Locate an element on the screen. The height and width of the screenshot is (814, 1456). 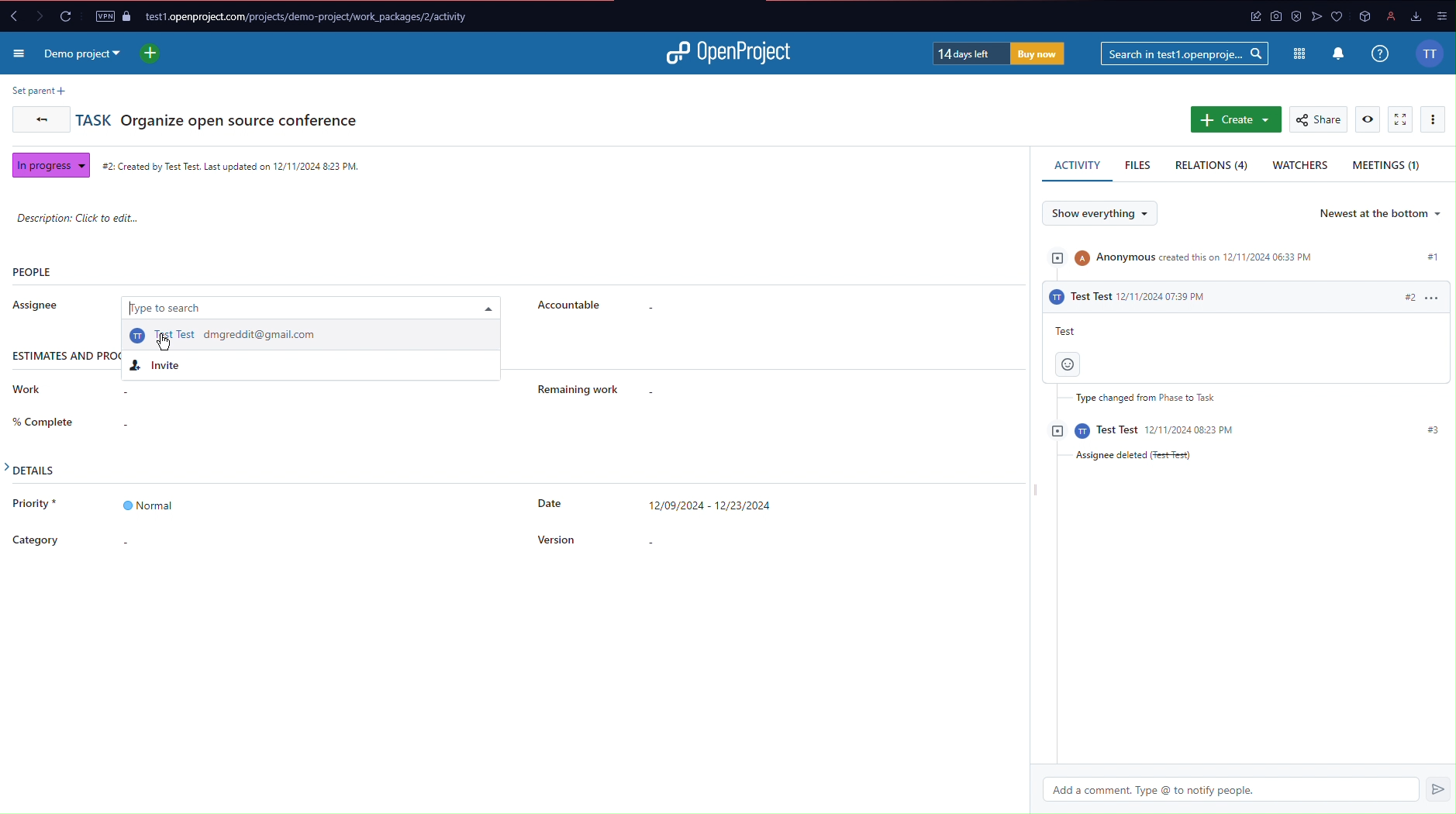
Trial Timer is located at coordinates (999, 52).